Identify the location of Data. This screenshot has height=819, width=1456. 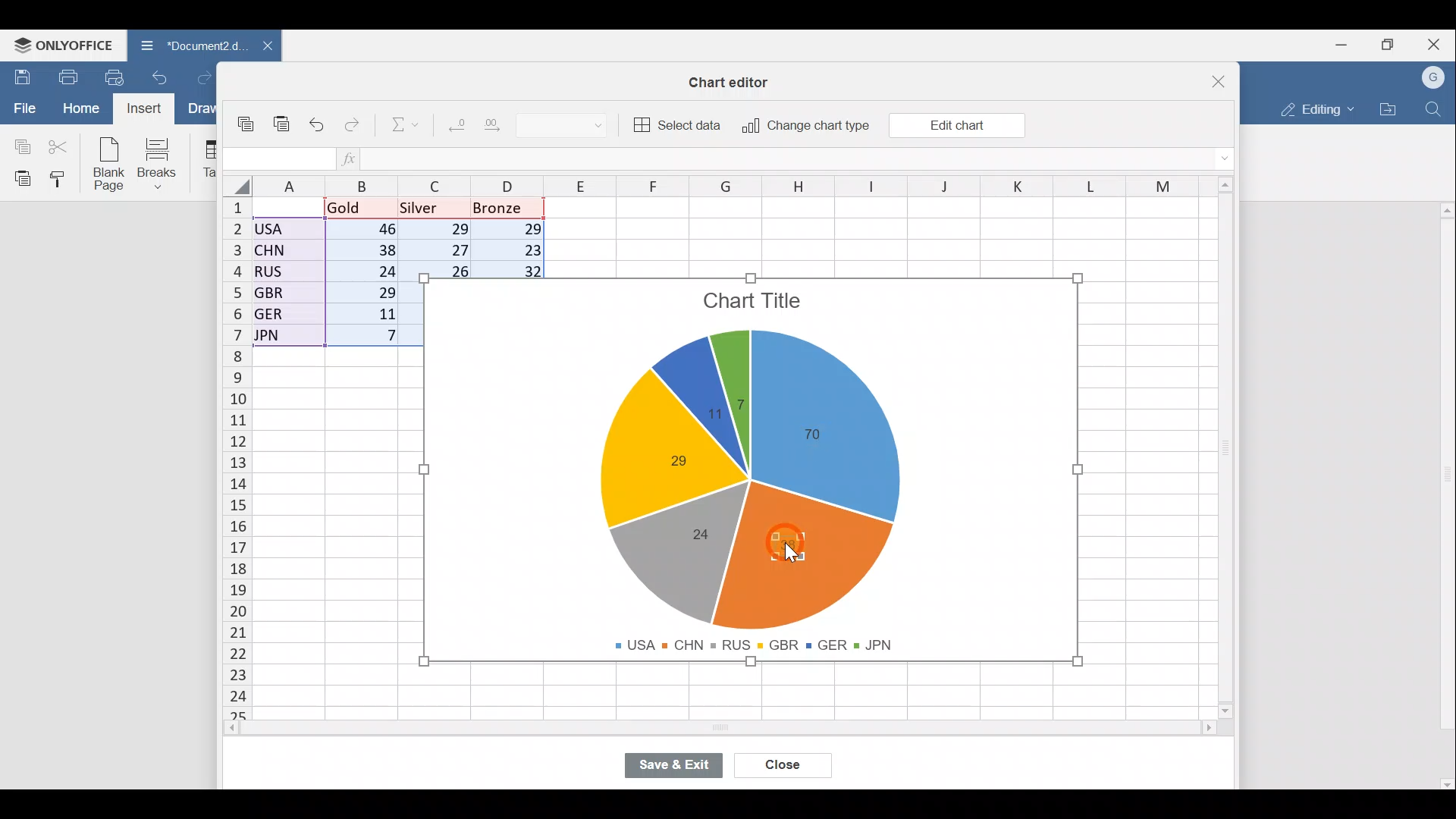
(315, 272).